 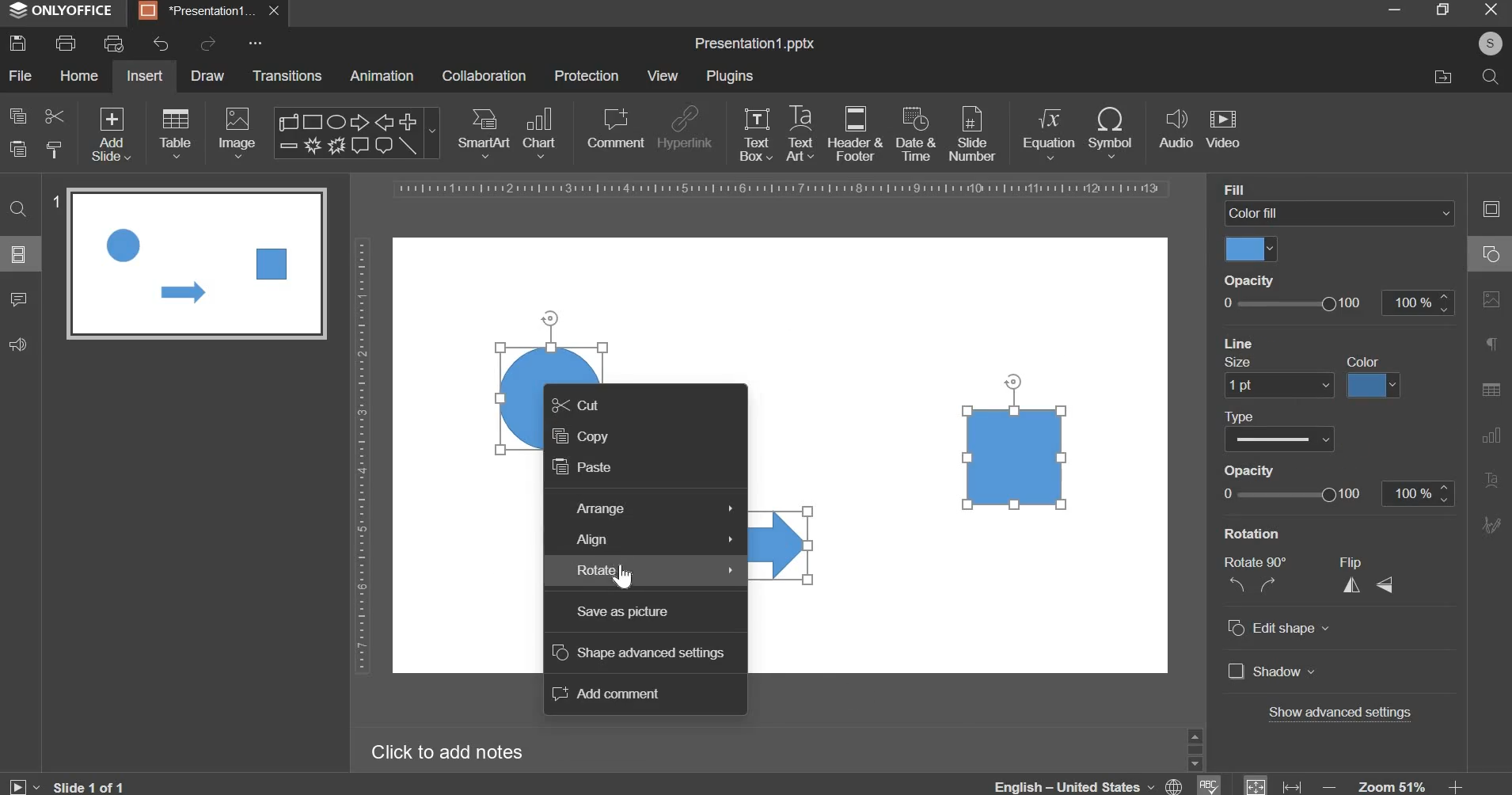 I want to click on paste, so click(x=18, y=150).